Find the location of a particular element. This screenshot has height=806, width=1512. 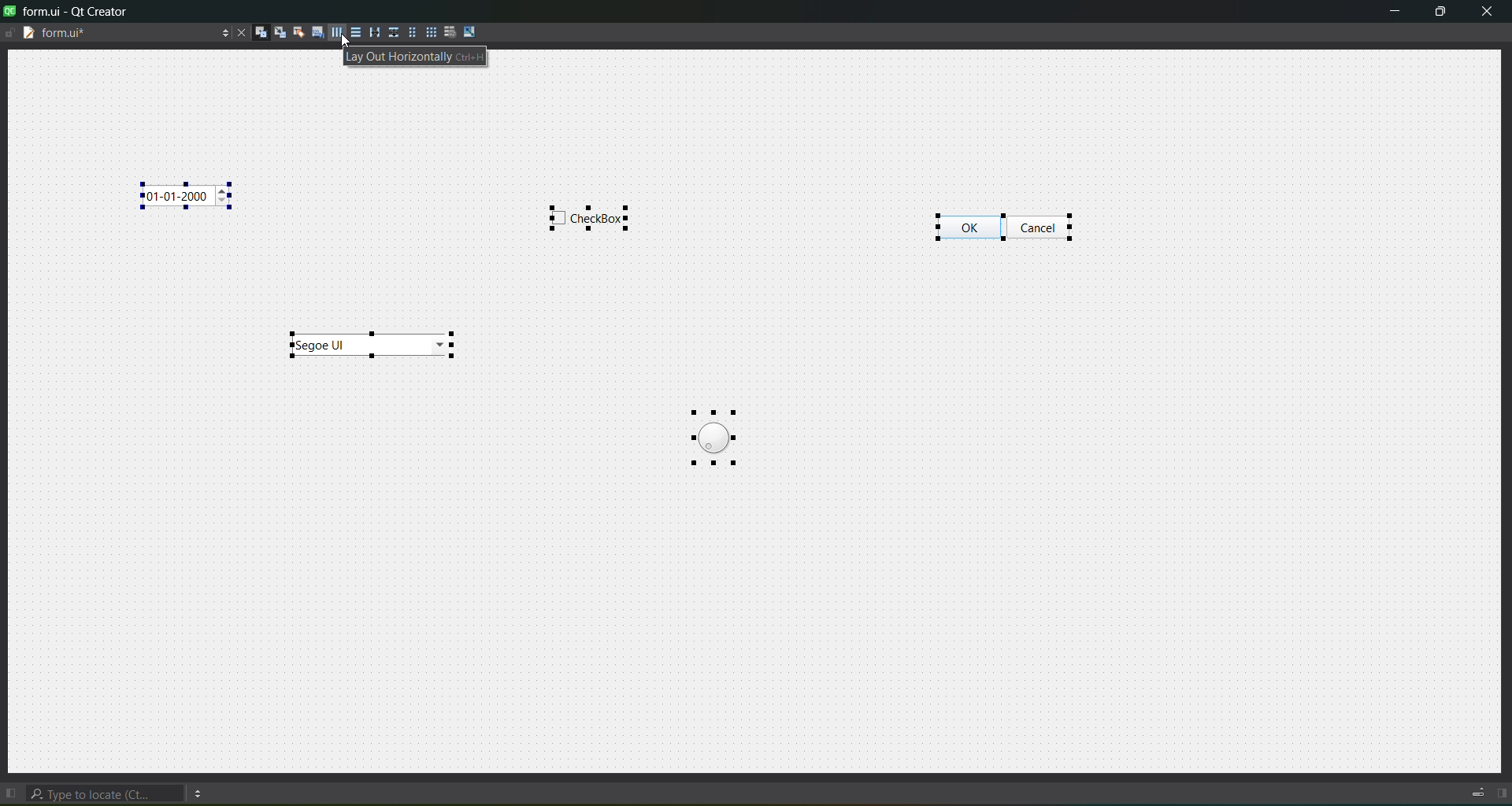

adjust size is located at coordinates (470, 32).